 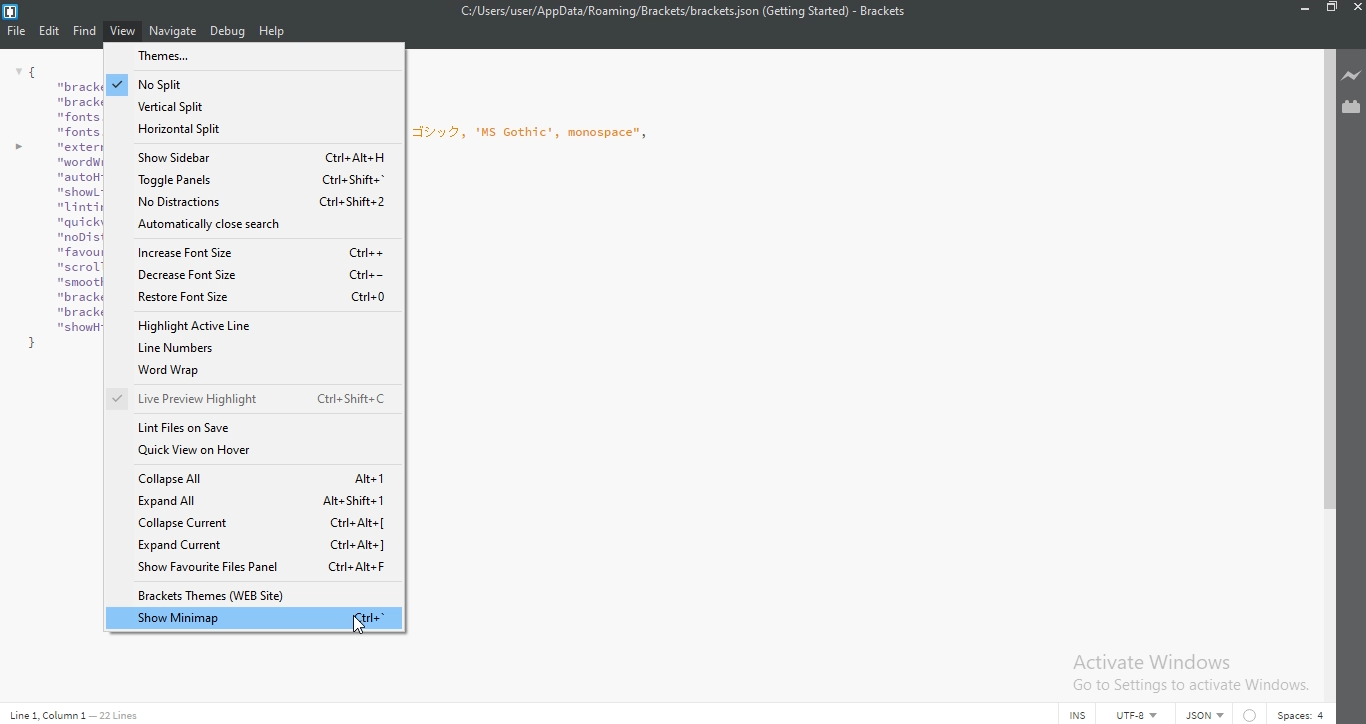 I want to click on  UTF-8, so click(x=1138, y=714).